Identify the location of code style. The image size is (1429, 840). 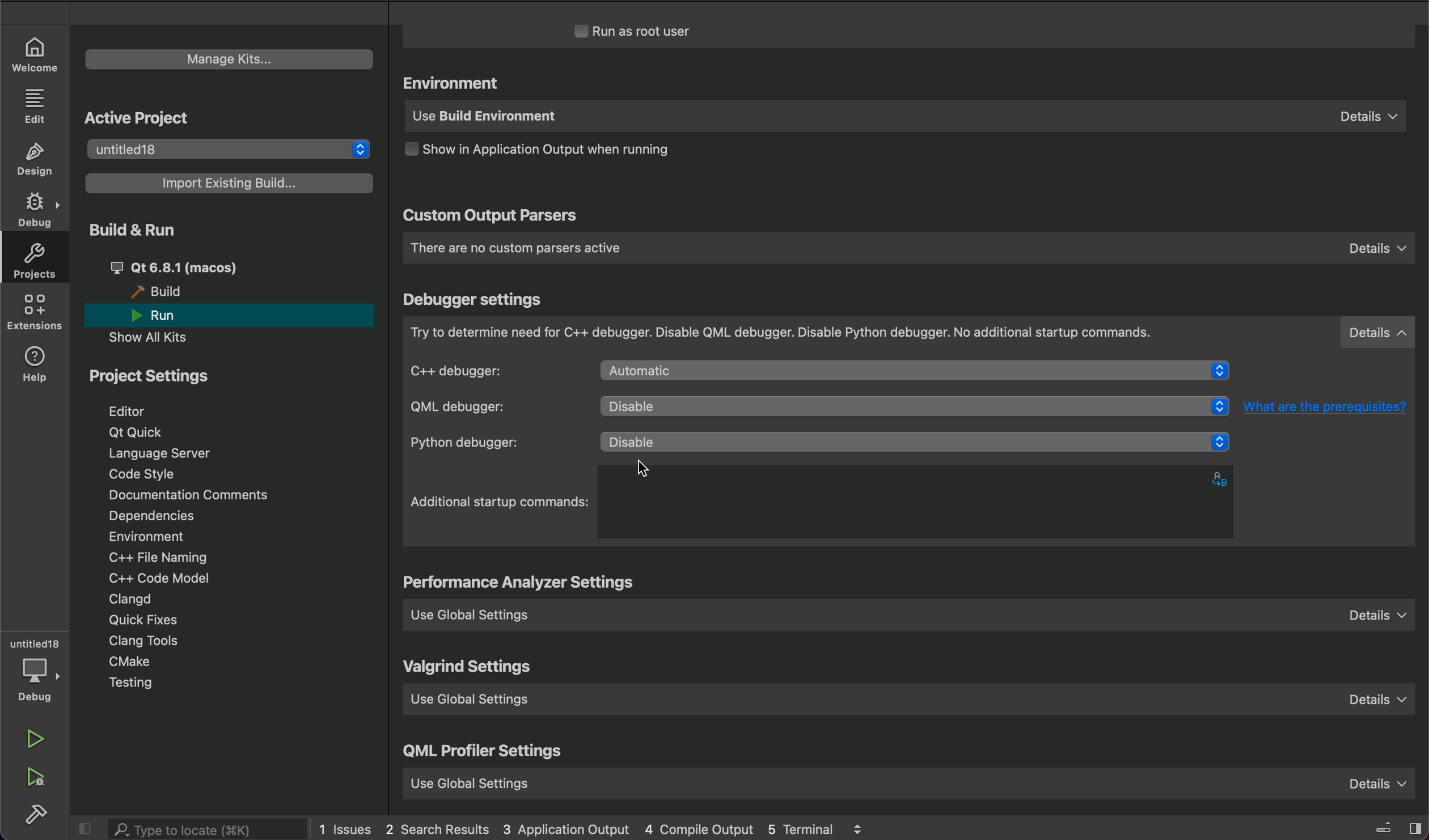
(144, 476).